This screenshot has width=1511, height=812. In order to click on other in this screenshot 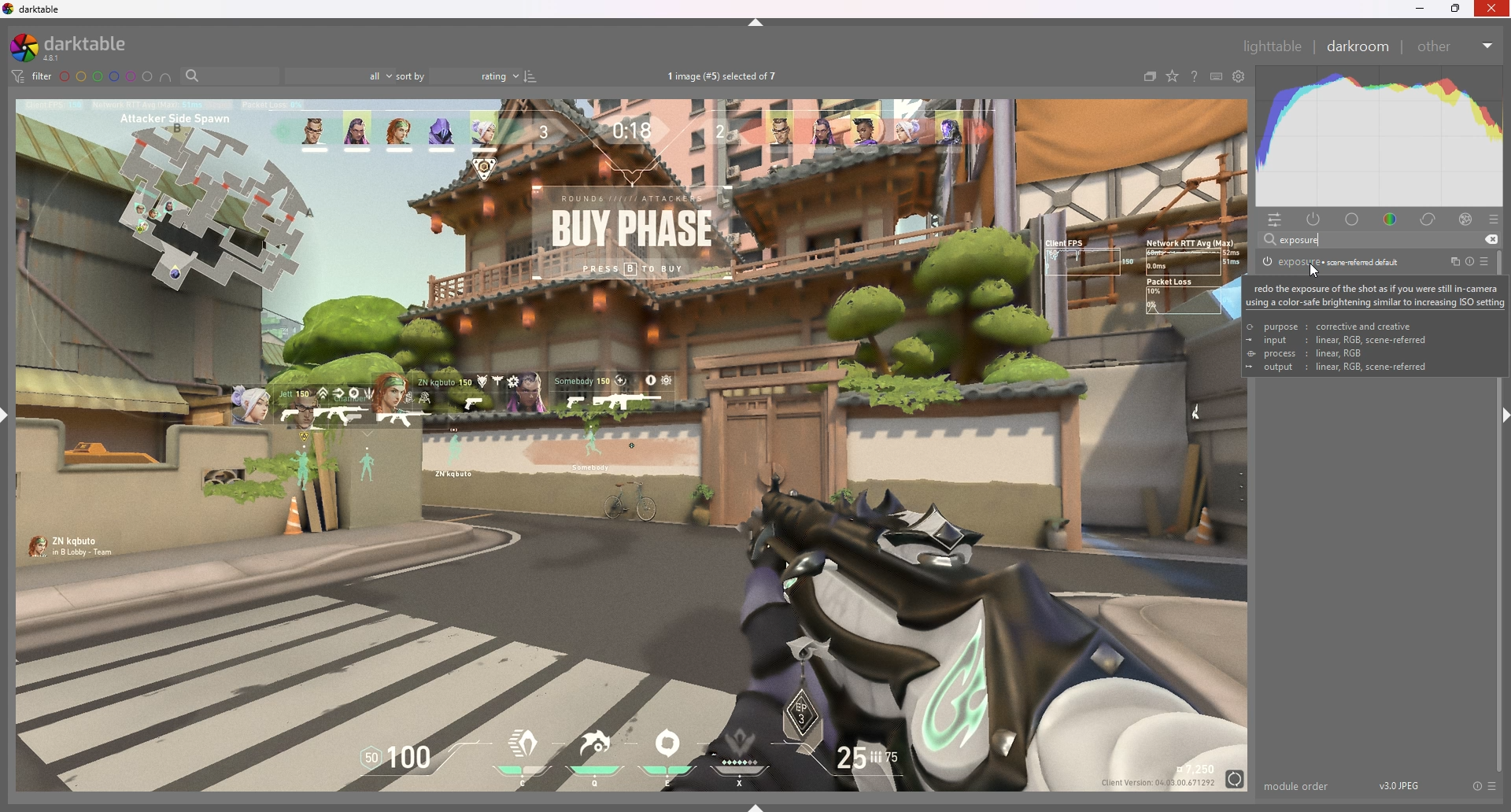, I will do `click(1456, 46)`.